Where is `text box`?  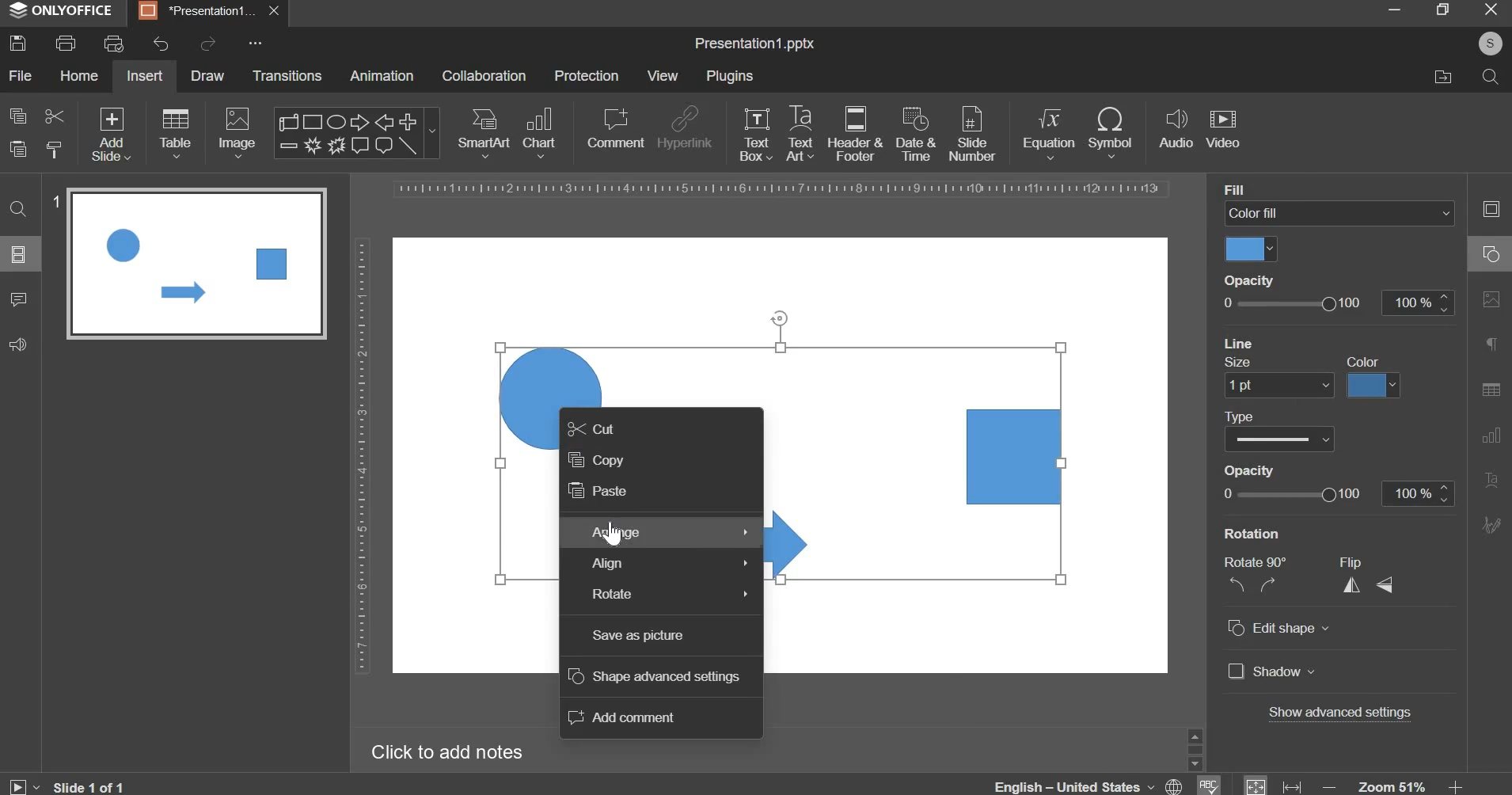
text box is located at coordinates (756, 134).